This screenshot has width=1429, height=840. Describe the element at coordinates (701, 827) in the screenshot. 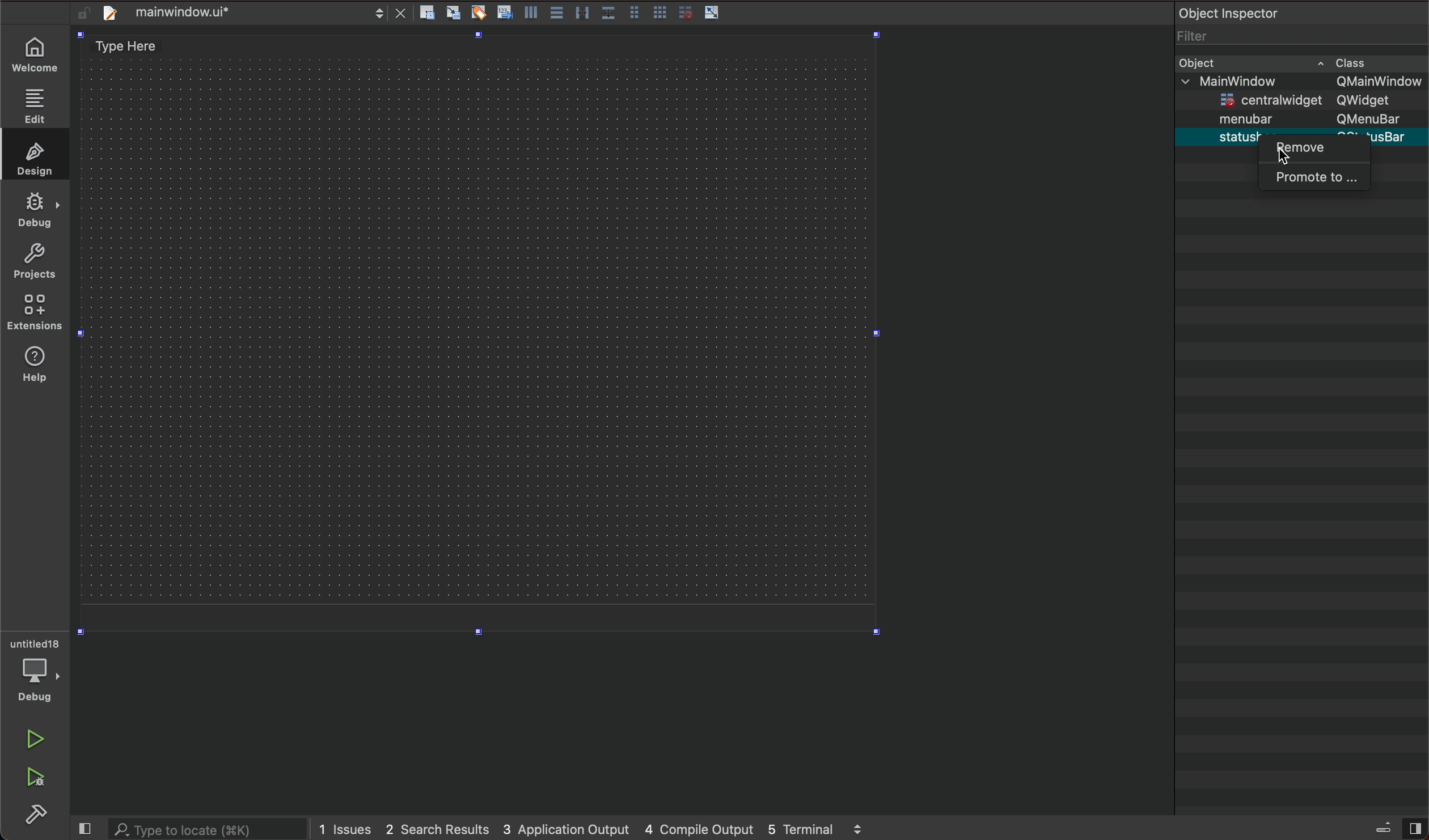

I see `4 couple output` at that location.